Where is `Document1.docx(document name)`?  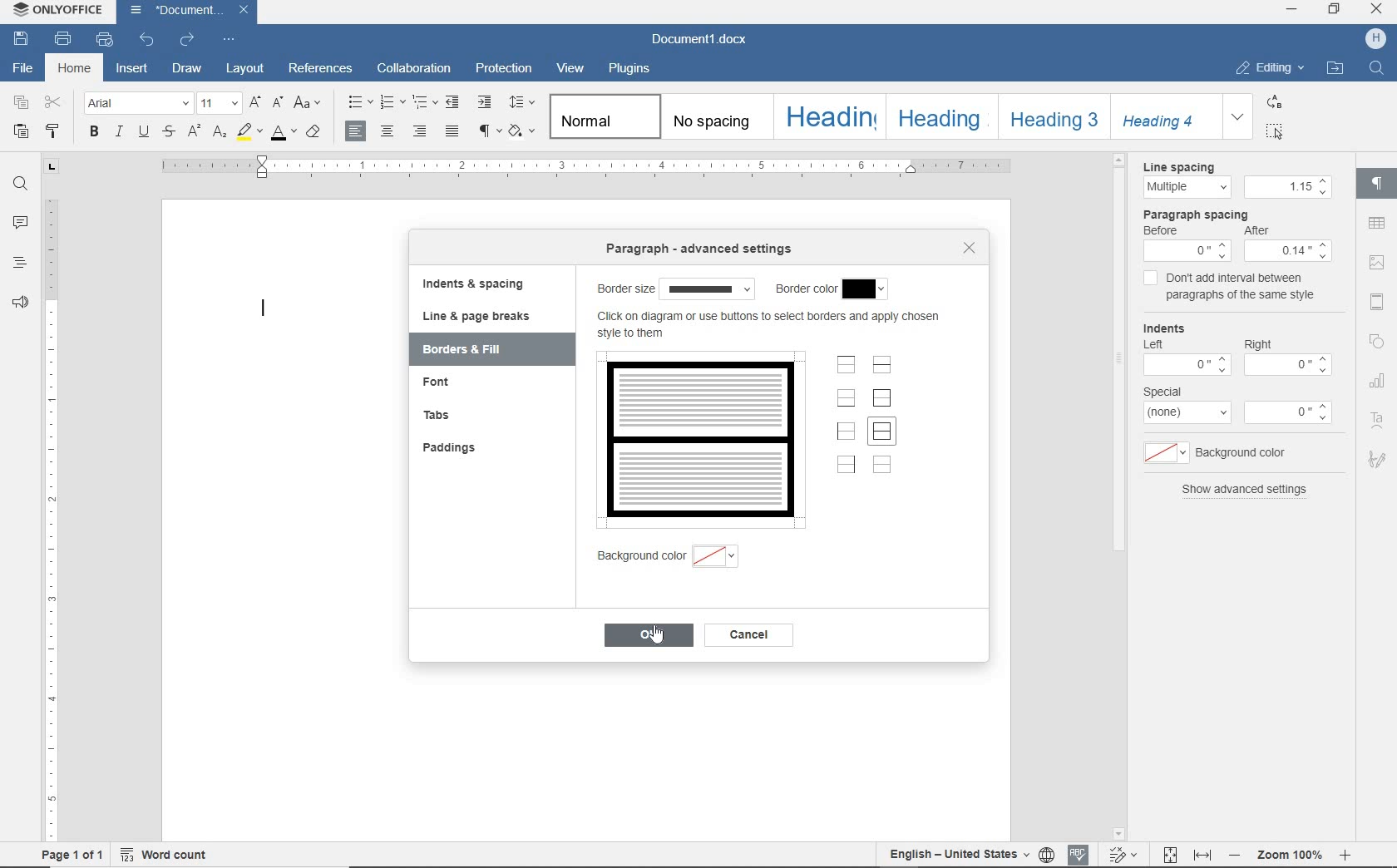 Document1.docx(document name) is located at coordinates (706, 40).